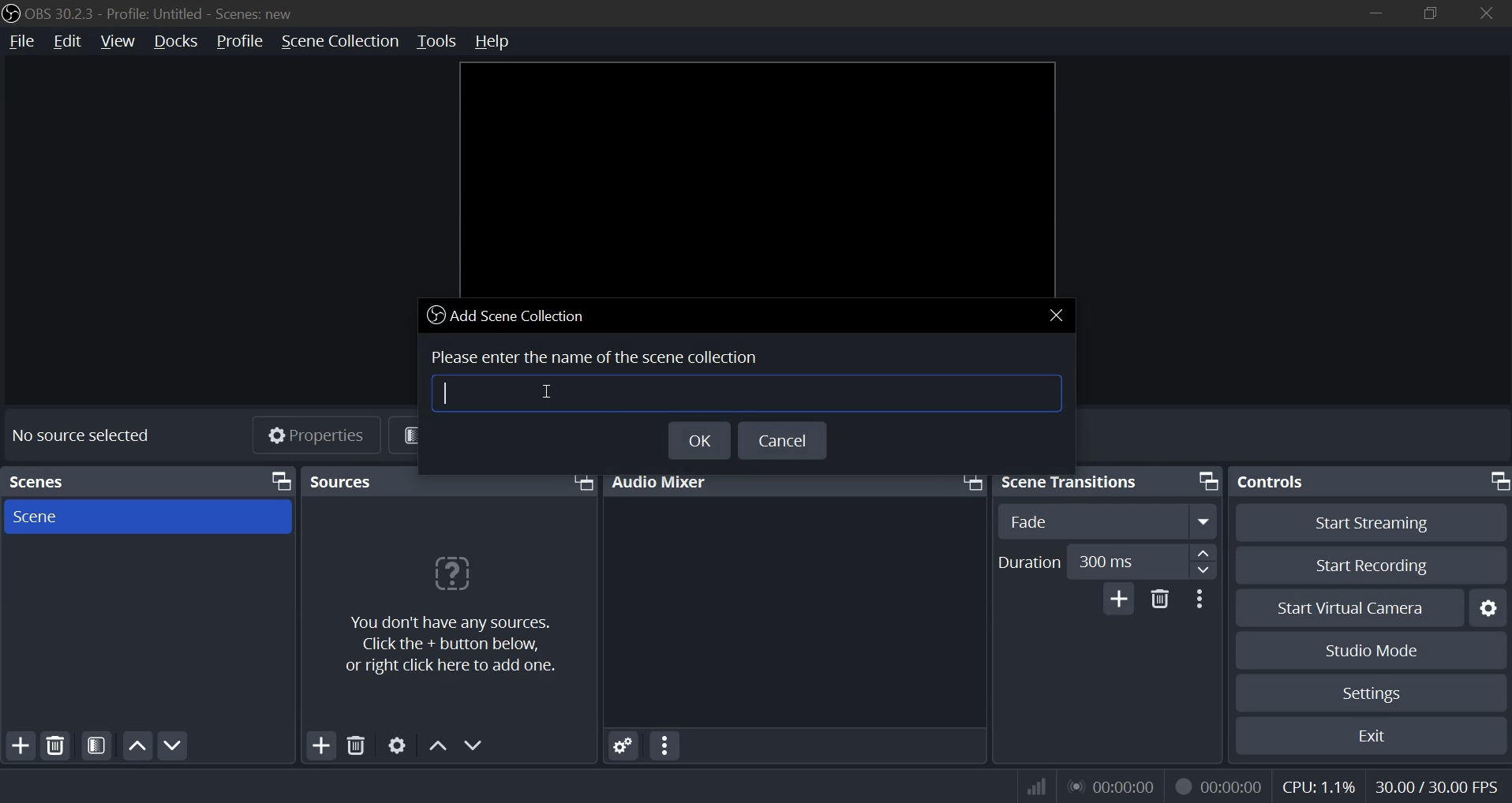 The width and height of the screenshot is (1512, 803). What do you see at coordinates (1371, 523) in the screenshot?
I see `start streaming` at bounding box center [1371, 523].